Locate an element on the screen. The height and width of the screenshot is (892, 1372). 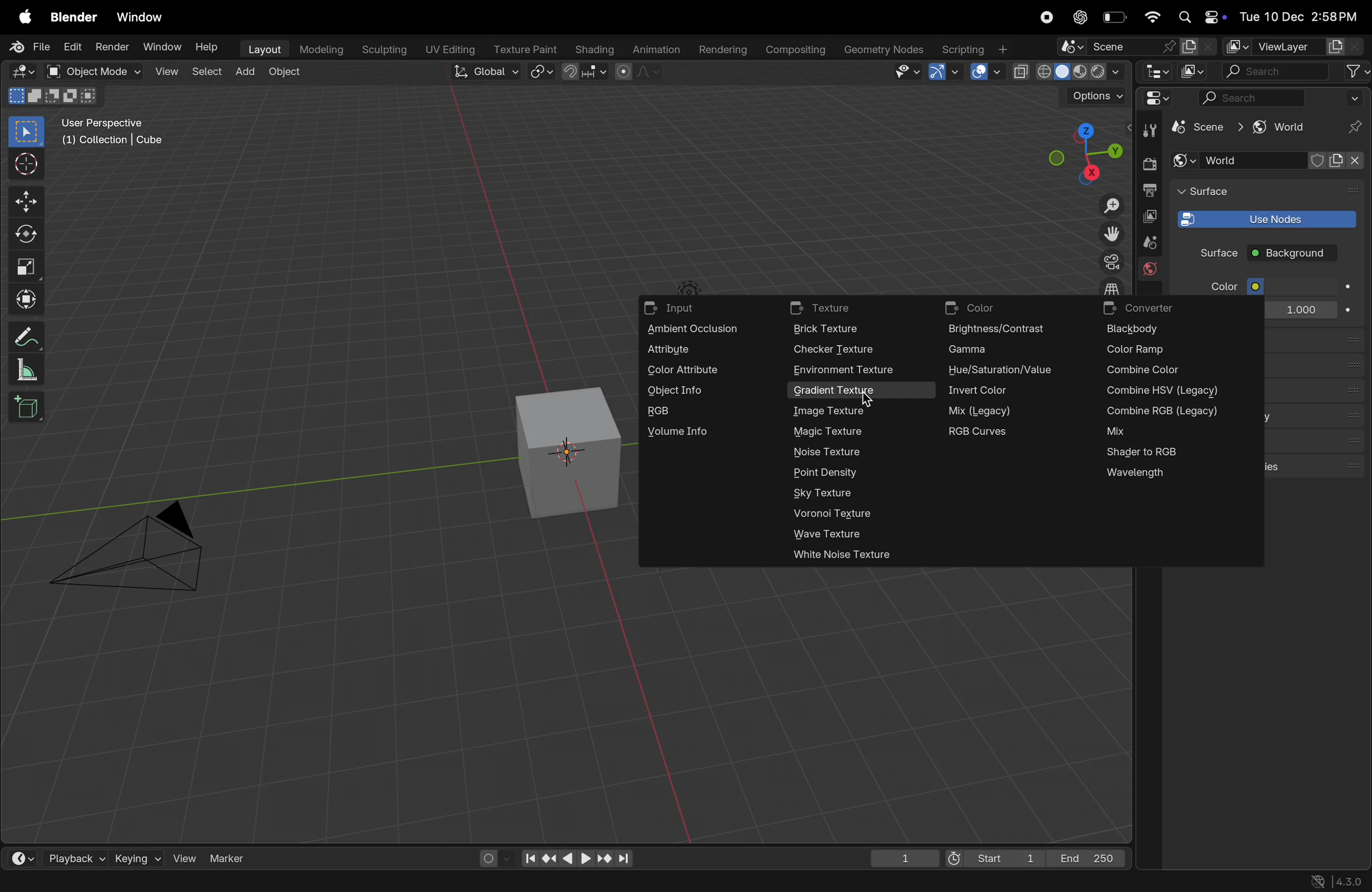
combine color is located at coordinates (1145, 371).